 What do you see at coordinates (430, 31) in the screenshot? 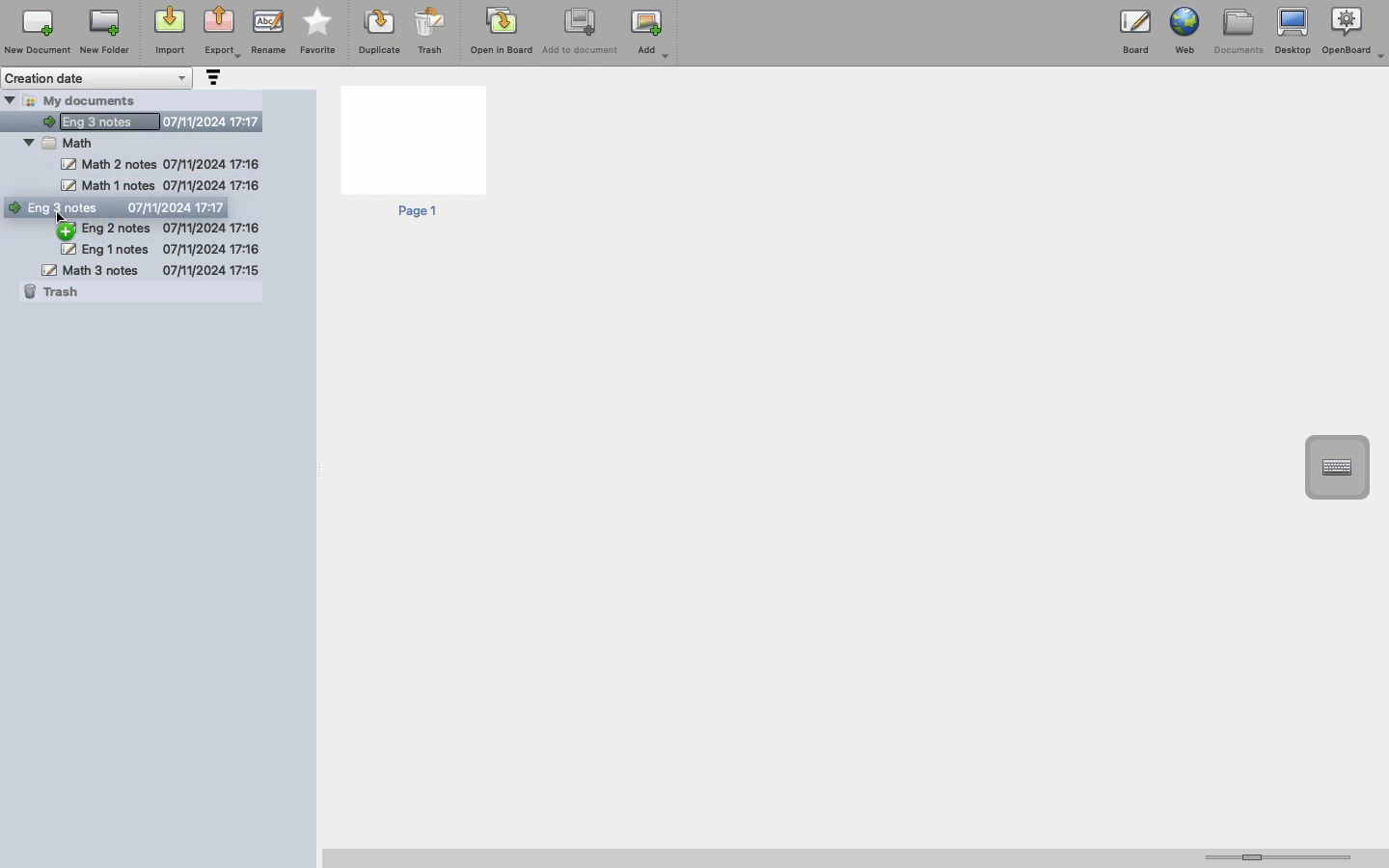
I see `Trash` at bounding box center [430, 31].